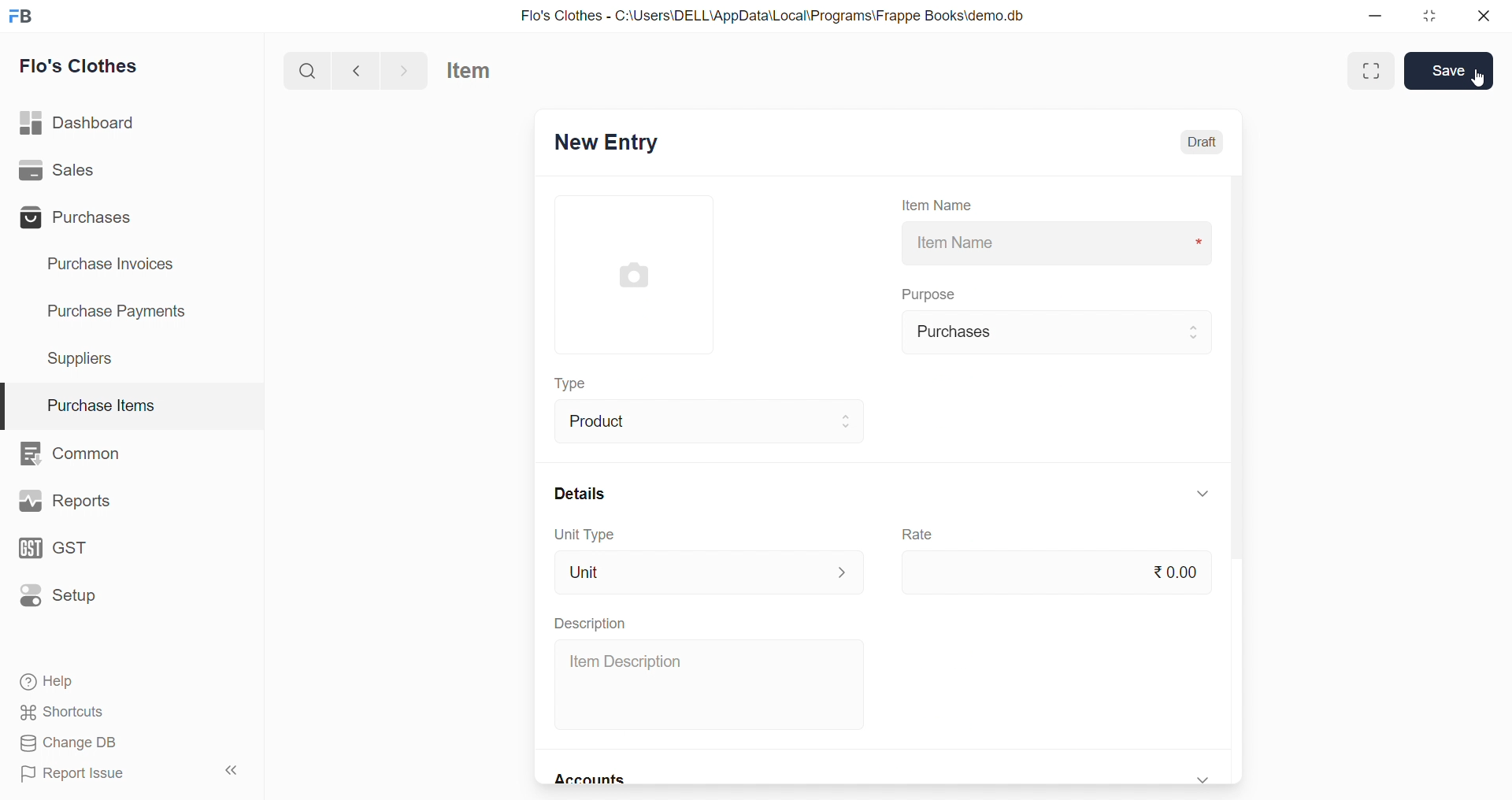  Describe the element at coordinates (1478, 16) in the screenshot. I see `close` at that location.